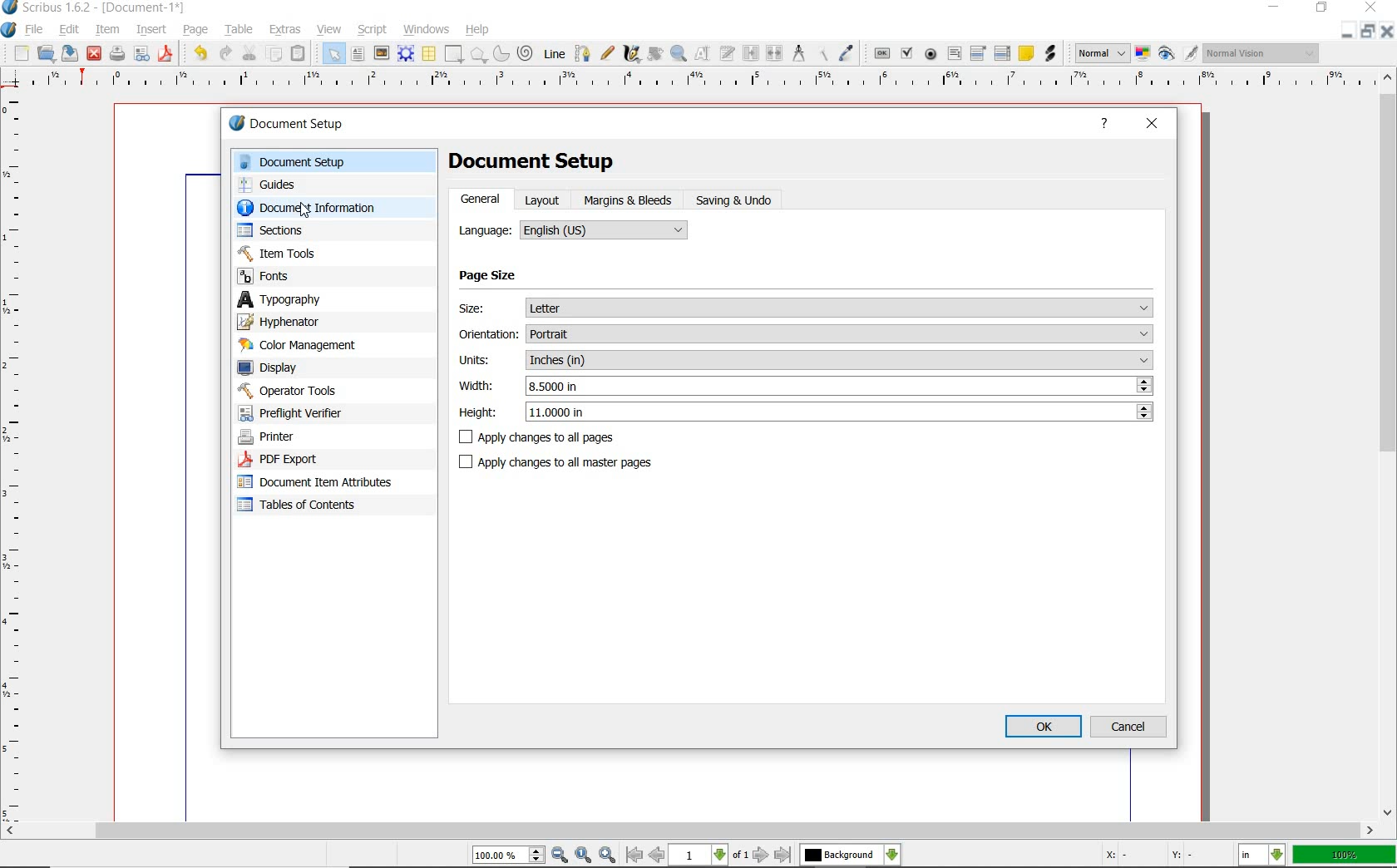 This screenshot has height=868, width=1397. I want to click on Bezier curve, so click(582, 53).